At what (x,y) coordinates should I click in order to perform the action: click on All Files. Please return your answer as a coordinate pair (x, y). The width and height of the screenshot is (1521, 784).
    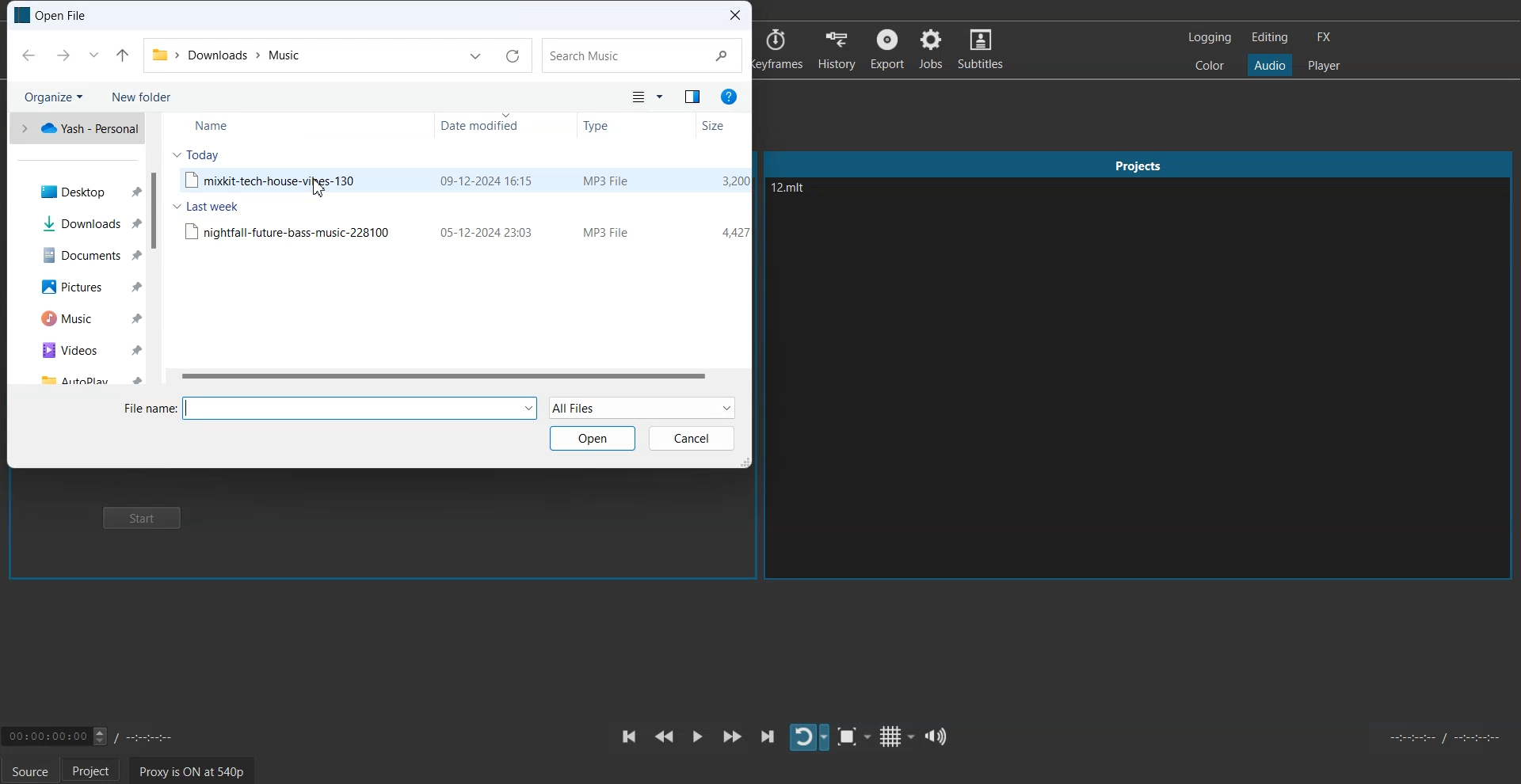
    Looking at the image, I should click on (642, 406).